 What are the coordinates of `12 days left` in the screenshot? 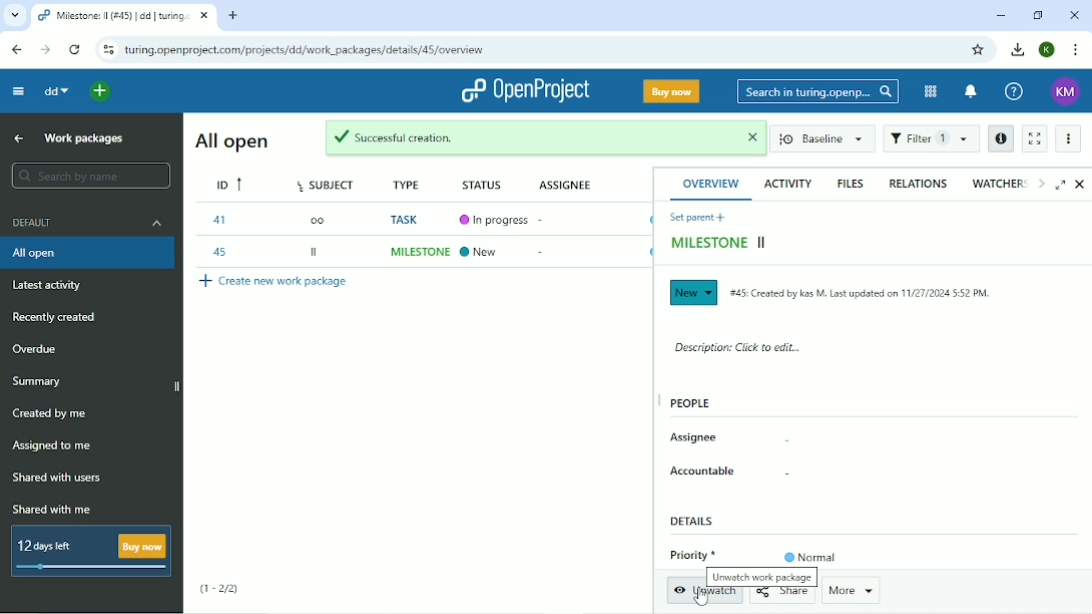 It's located at (92, 553).